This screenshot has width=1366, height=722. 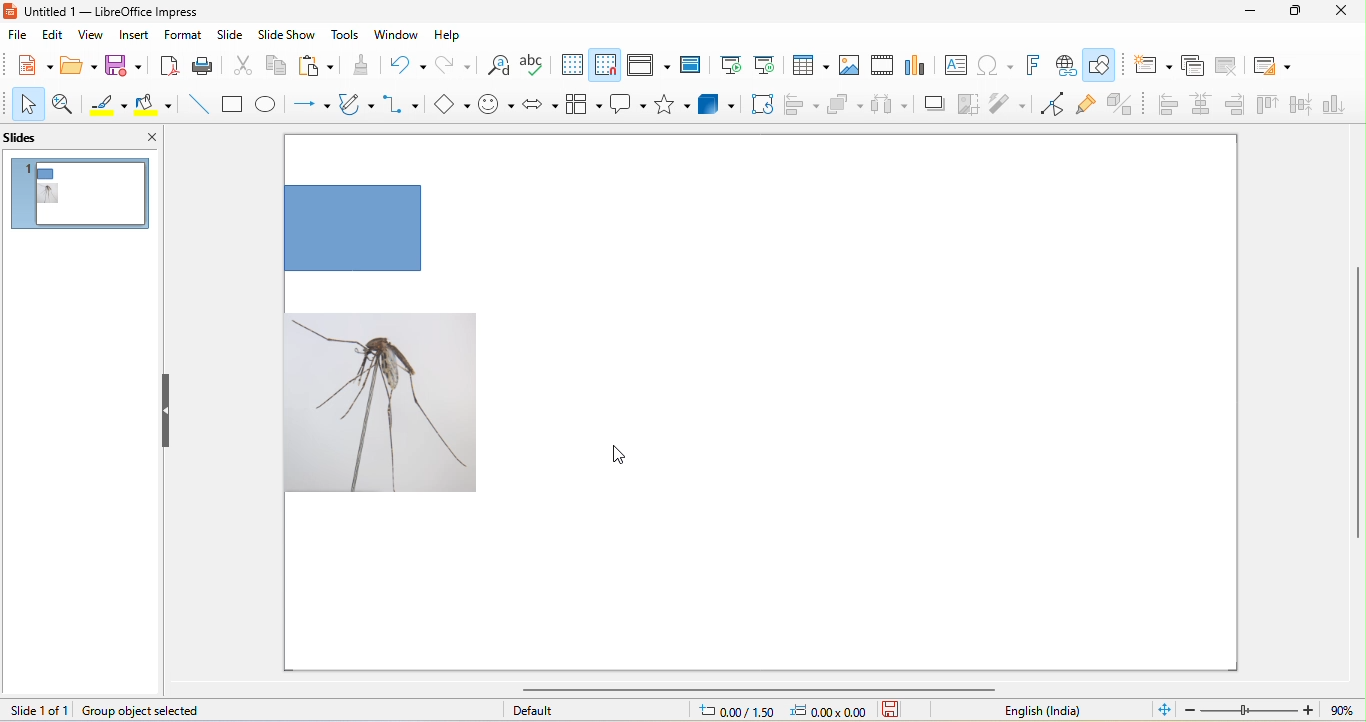 What do you see at coordinates (82, 195) in the screenshot?
I see `slide 1` at bounding box center [82, 195].